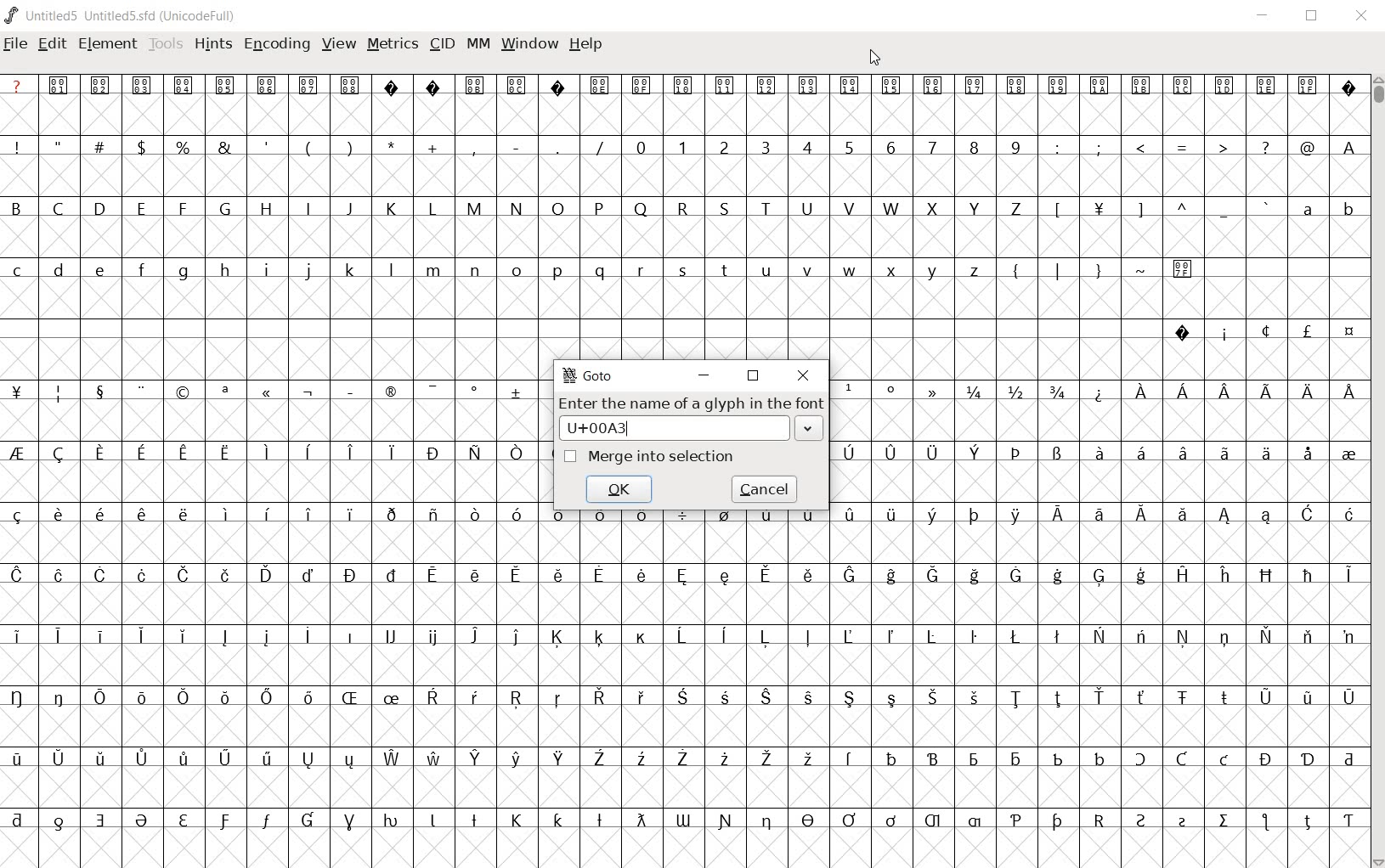 The image size is (1385, 868). I want to click on Symbol, so click(391, 393).